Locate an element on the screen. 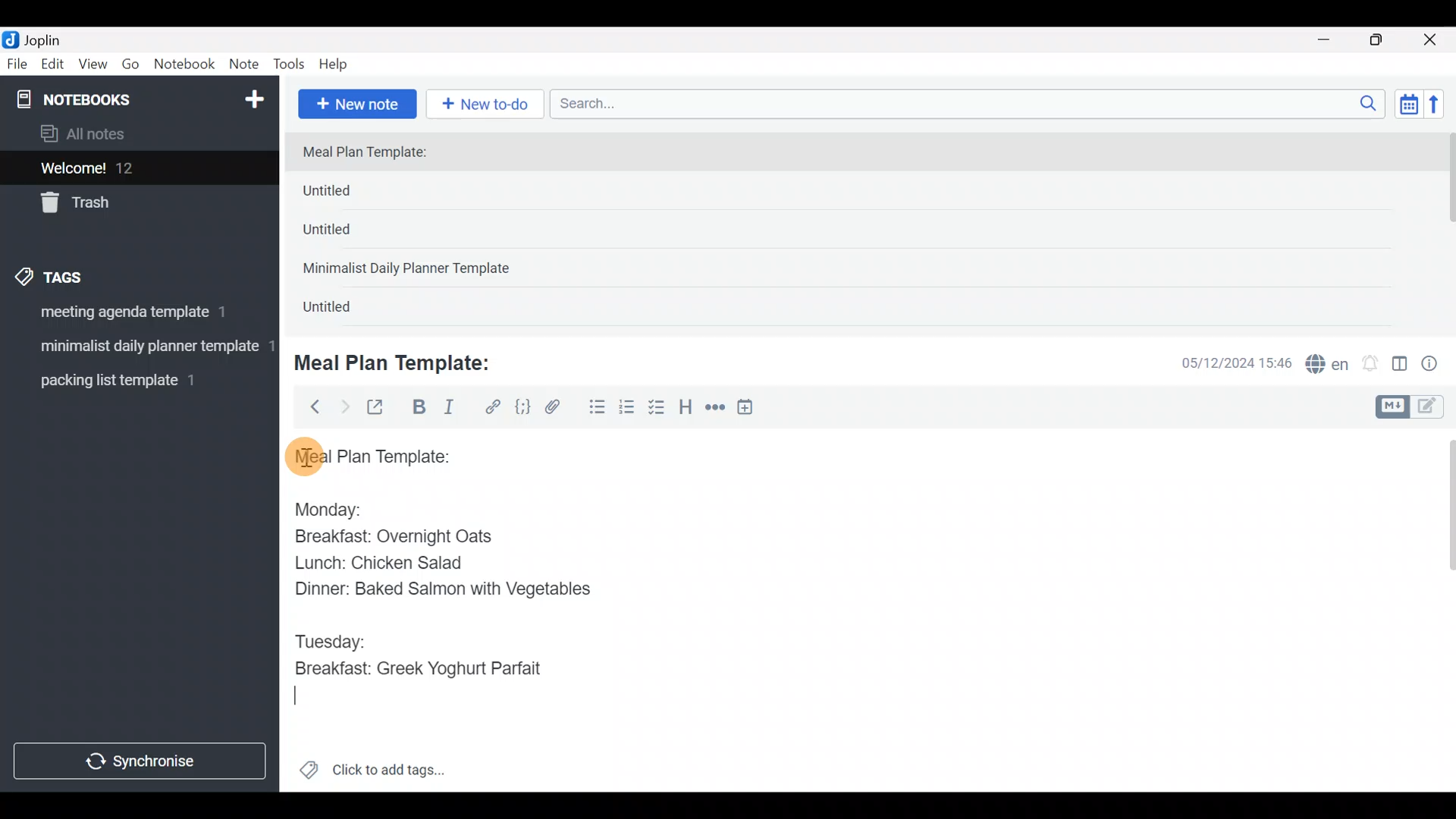 This screenshot has height=819, width=1456. Horizontal rule is located at coordinates (715, 409).